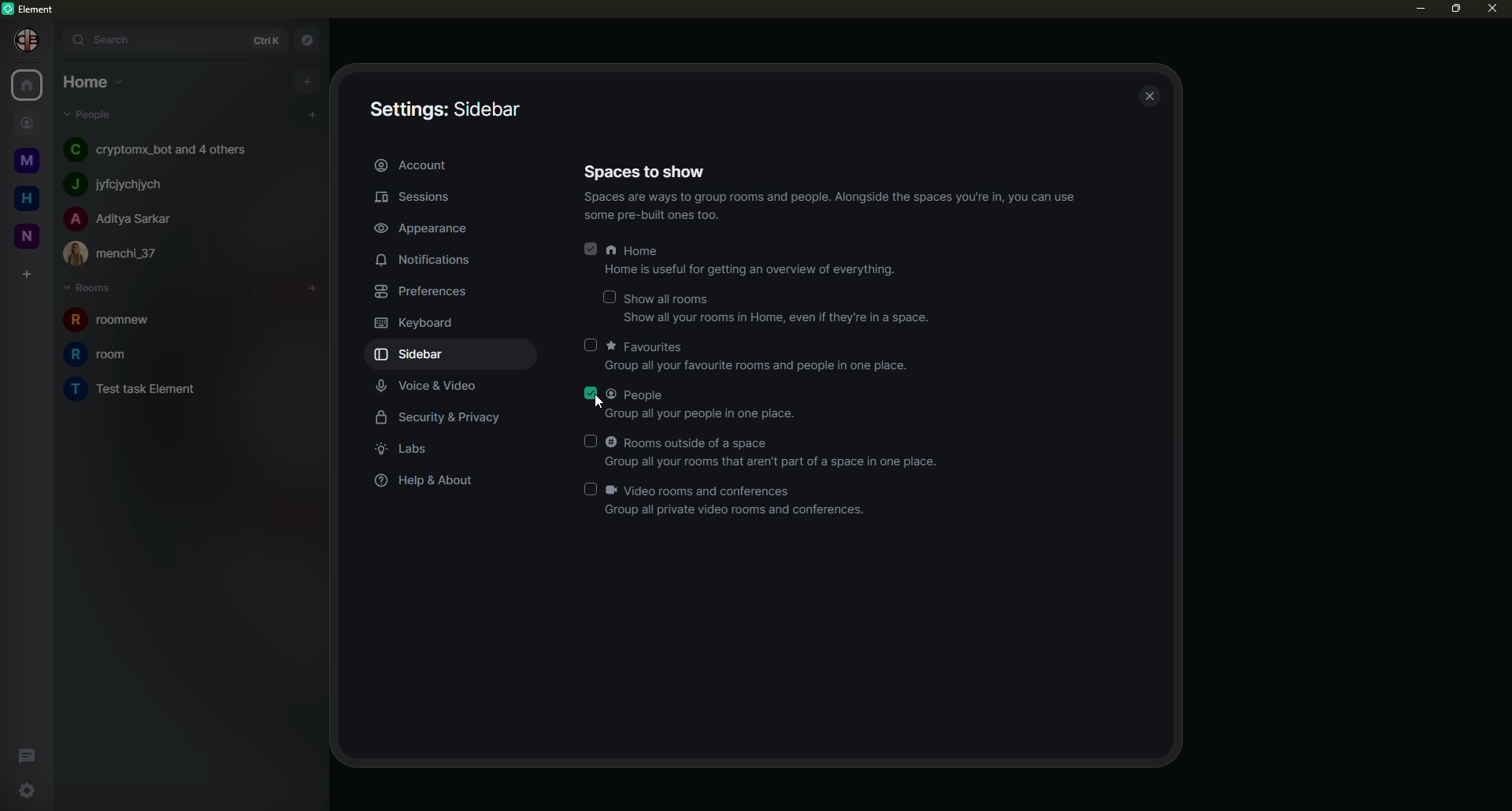 This screenshot has width=1512, height=811. Describe the element at coordinates (260, 37) in the screenshot. I see `ctrl K` at that location.